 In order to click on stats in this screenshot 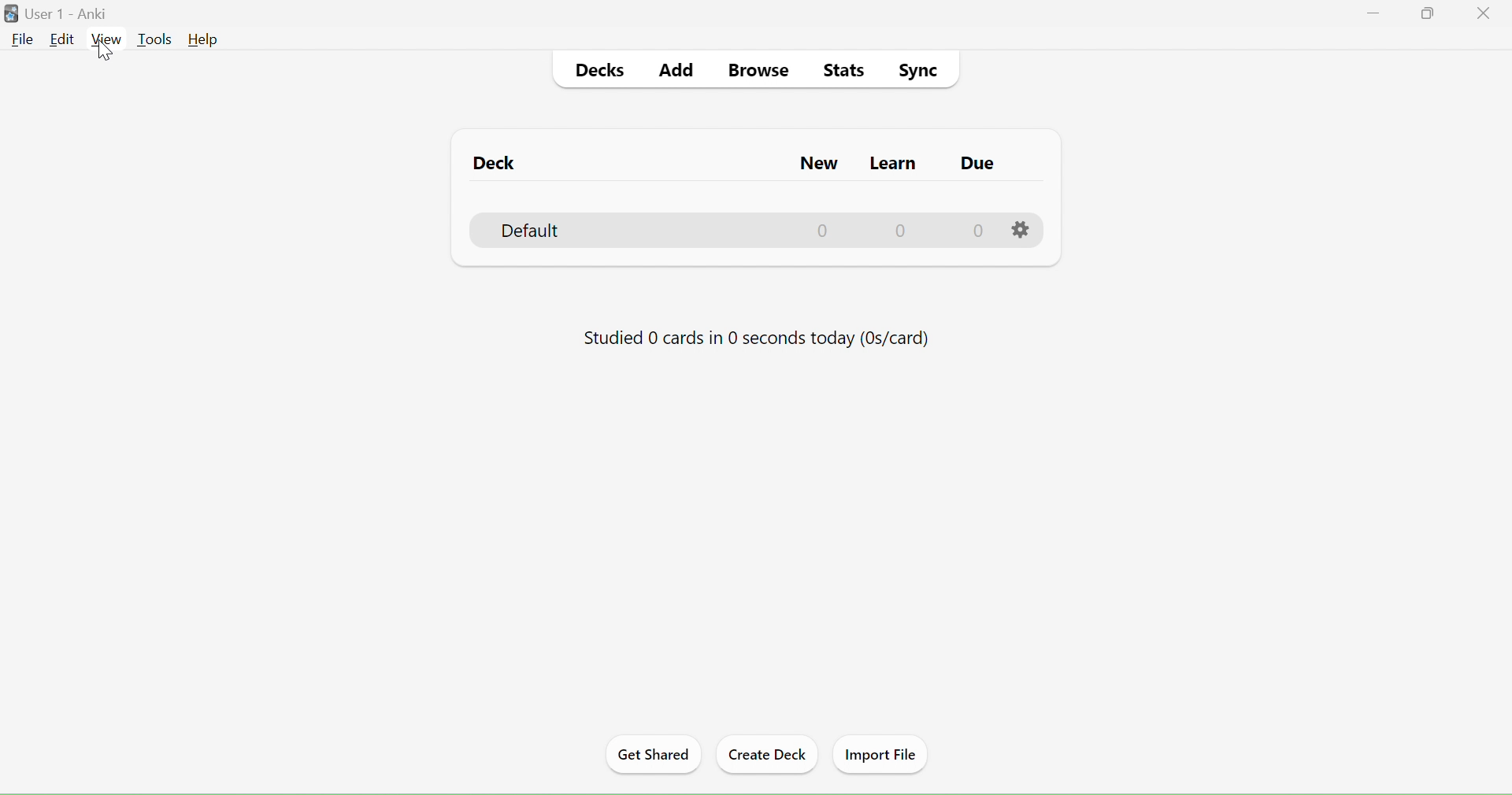, I will do `click(845, 72)`.